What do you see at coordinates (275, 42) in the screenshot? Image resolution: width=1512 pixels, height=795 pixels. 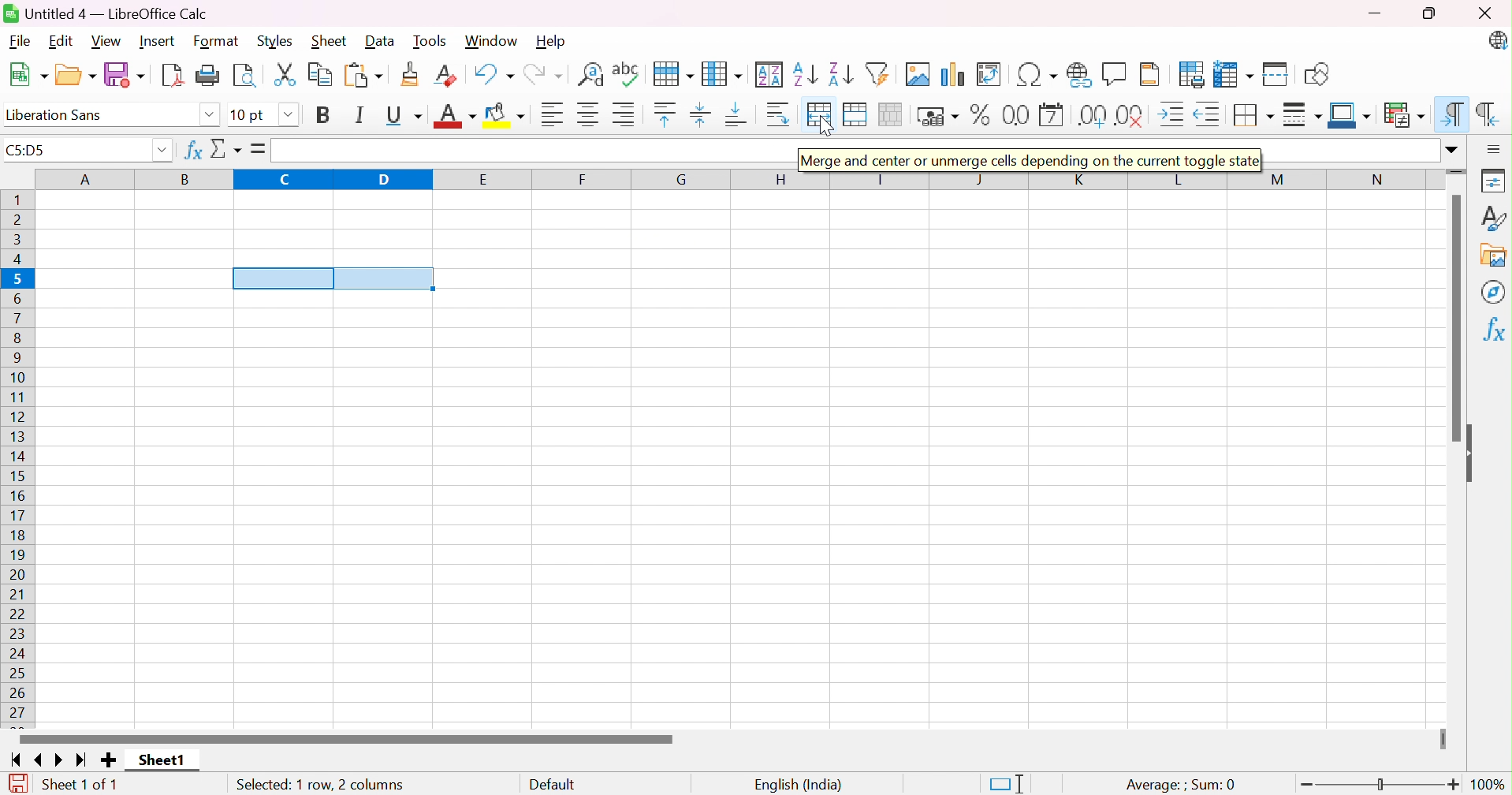 I see `Styles` at bounding box center [275, 42].